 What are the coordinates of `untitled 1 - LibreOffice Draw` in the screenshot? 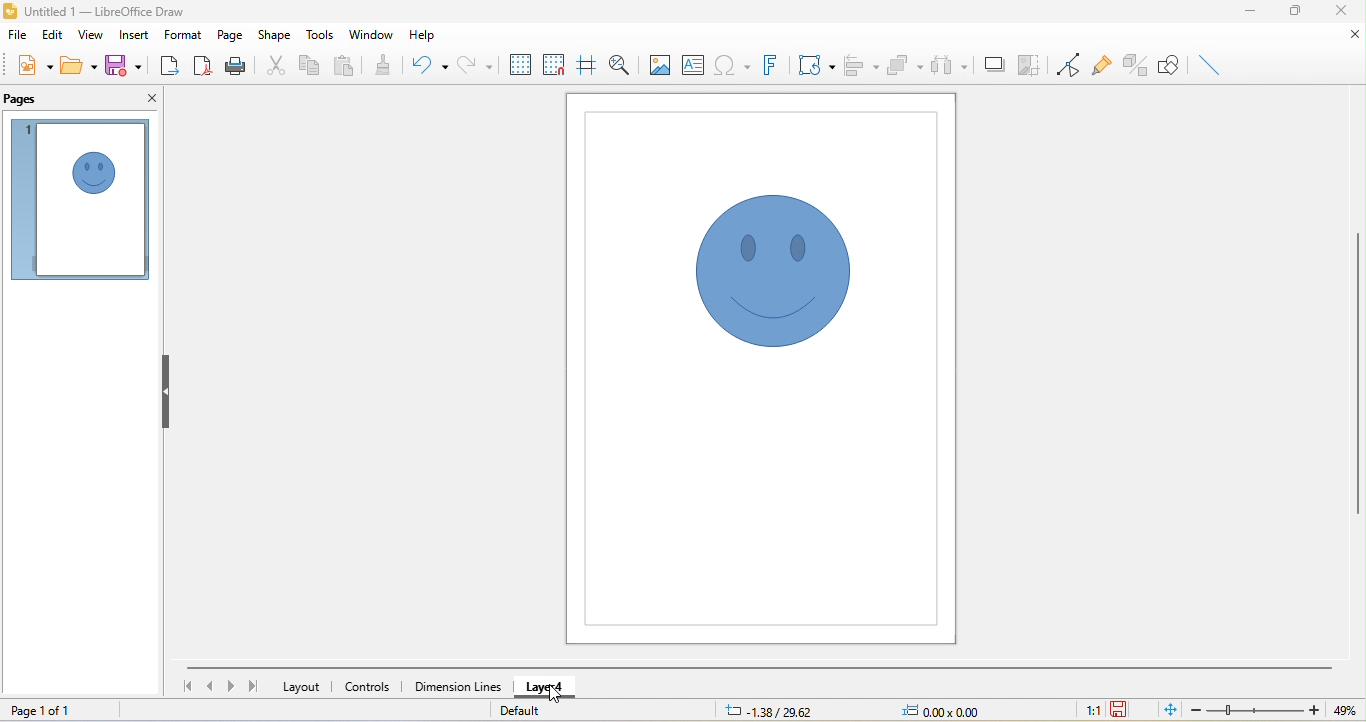 It's located at (107, 12).